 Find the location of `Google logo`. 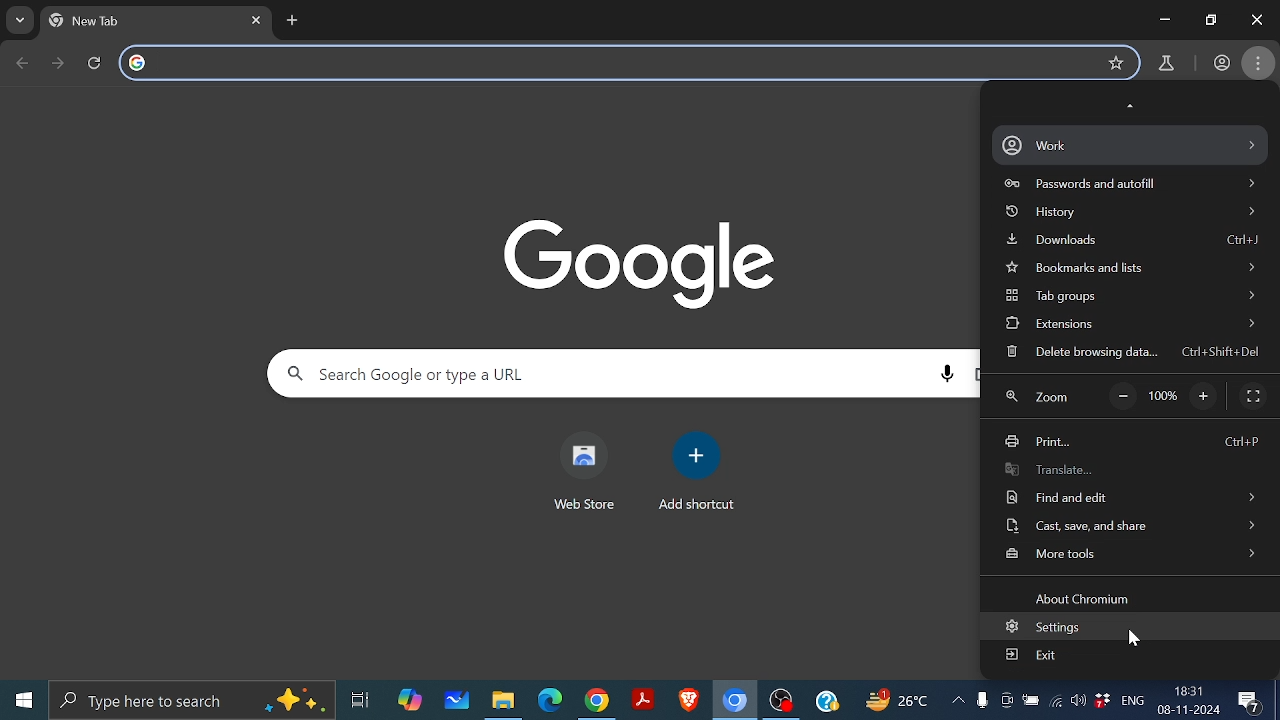

Google logo is located at coordinates (642, 262).